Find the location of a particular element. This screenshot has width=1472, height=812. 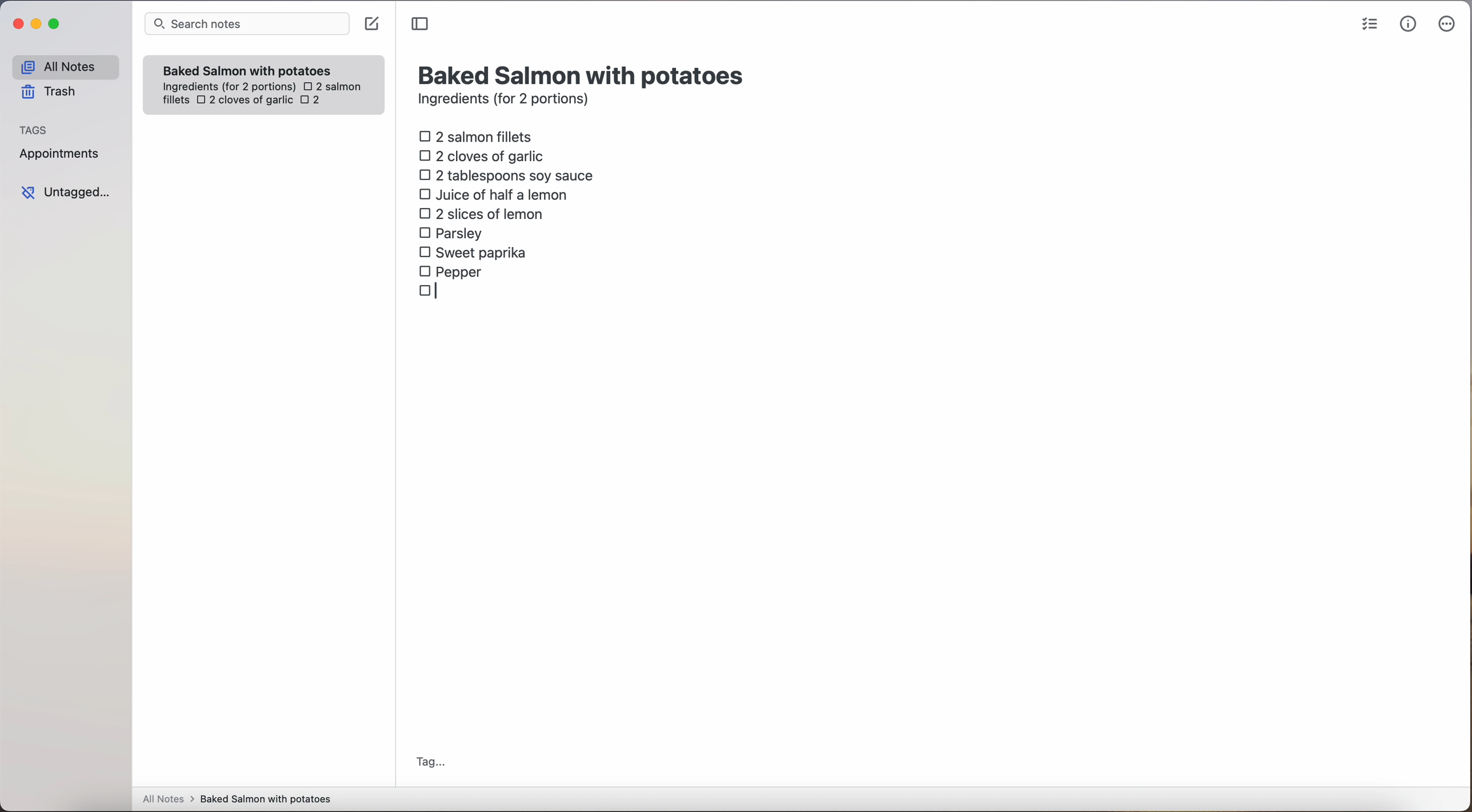

Baked Salmon with potatoes is located at coordinates (247, 68).